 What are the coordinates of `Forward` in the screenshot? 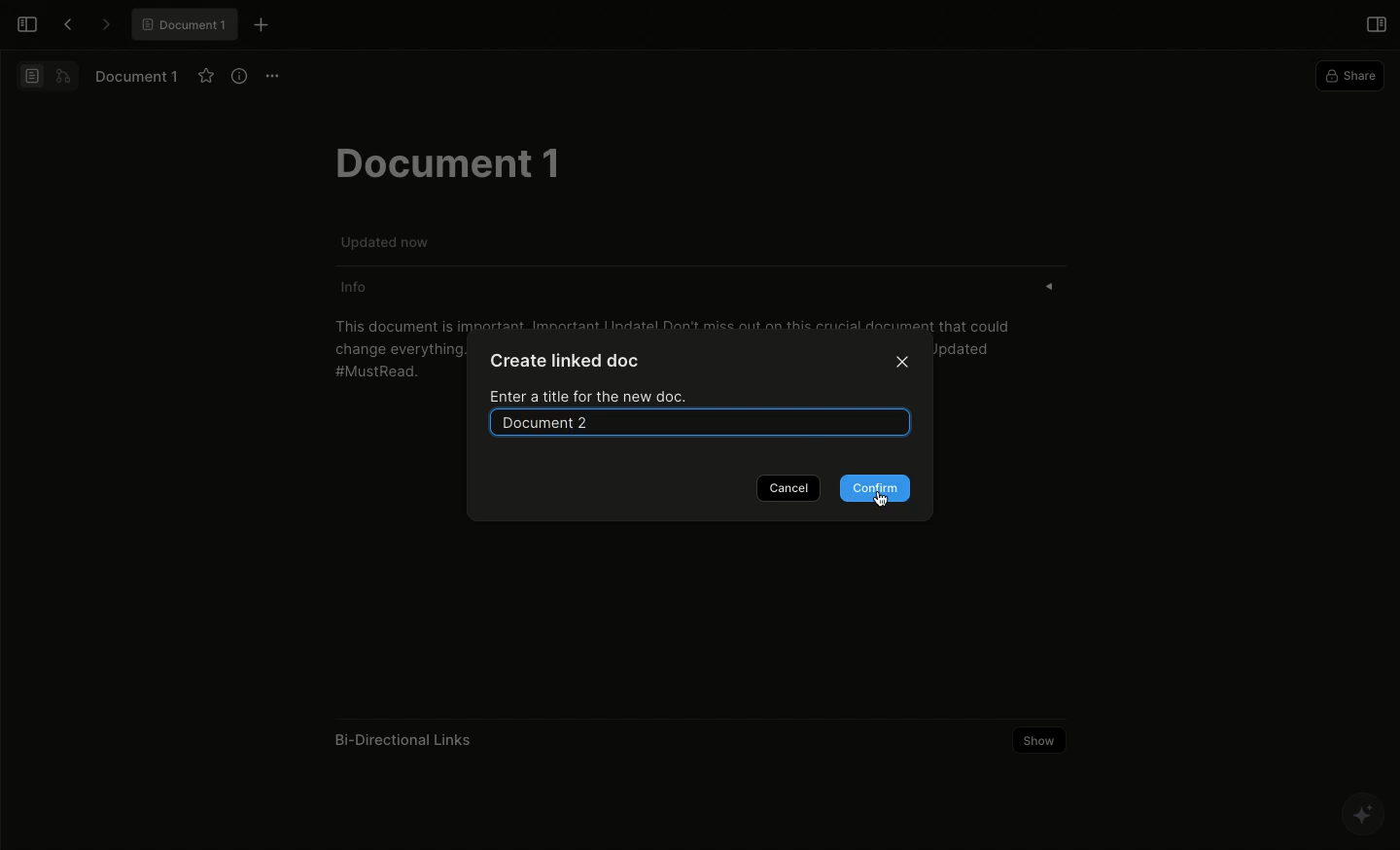 It's located at (104, 24).